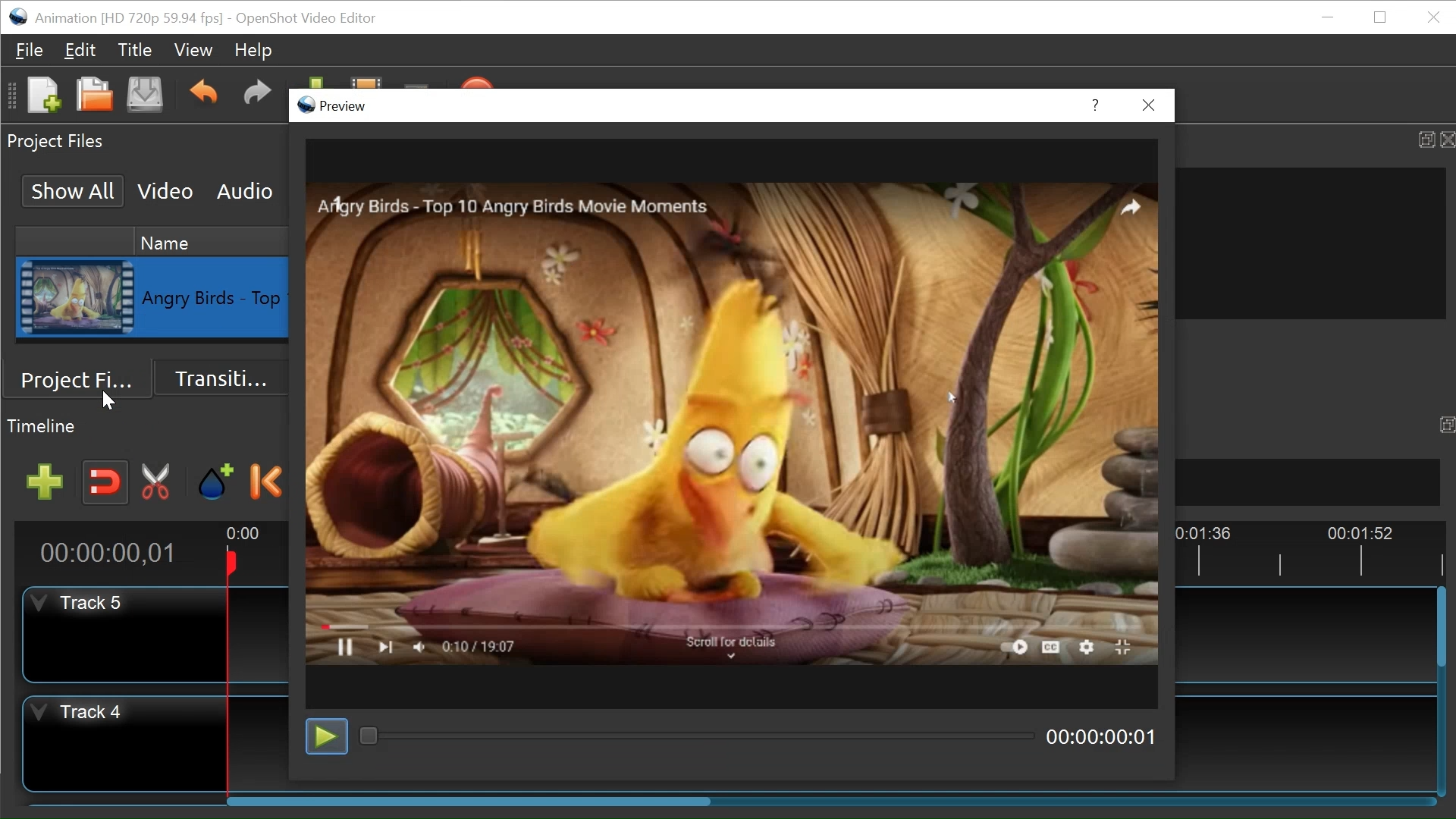 Image resolution: width=1456 pixels, height=819 pixels. I want to click on Restore, so click(1379, 17).